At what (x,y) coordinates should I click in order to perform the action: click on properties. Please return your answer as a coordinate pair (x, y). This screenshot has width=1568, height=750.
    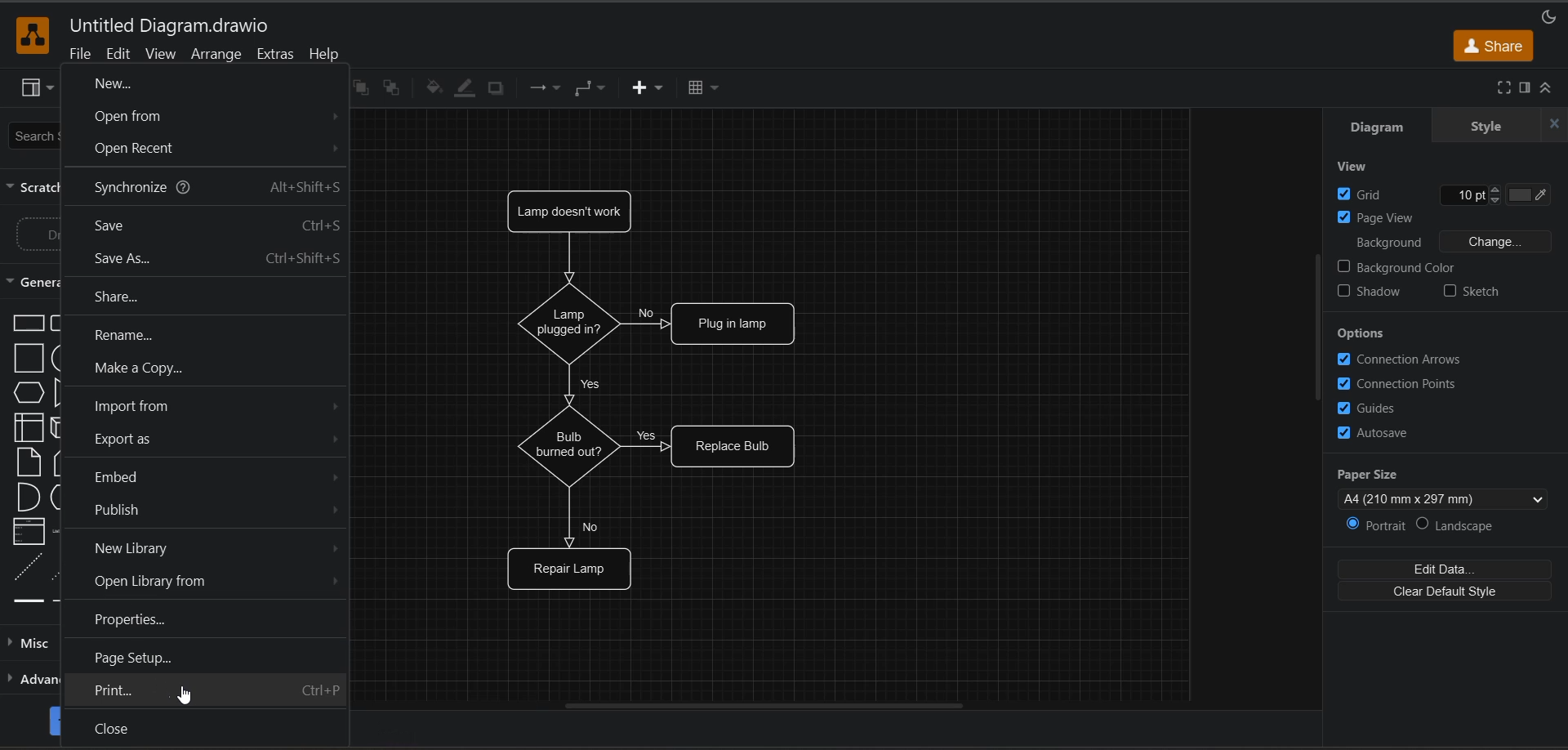
    Looking at the image, I should click on (129, 619).